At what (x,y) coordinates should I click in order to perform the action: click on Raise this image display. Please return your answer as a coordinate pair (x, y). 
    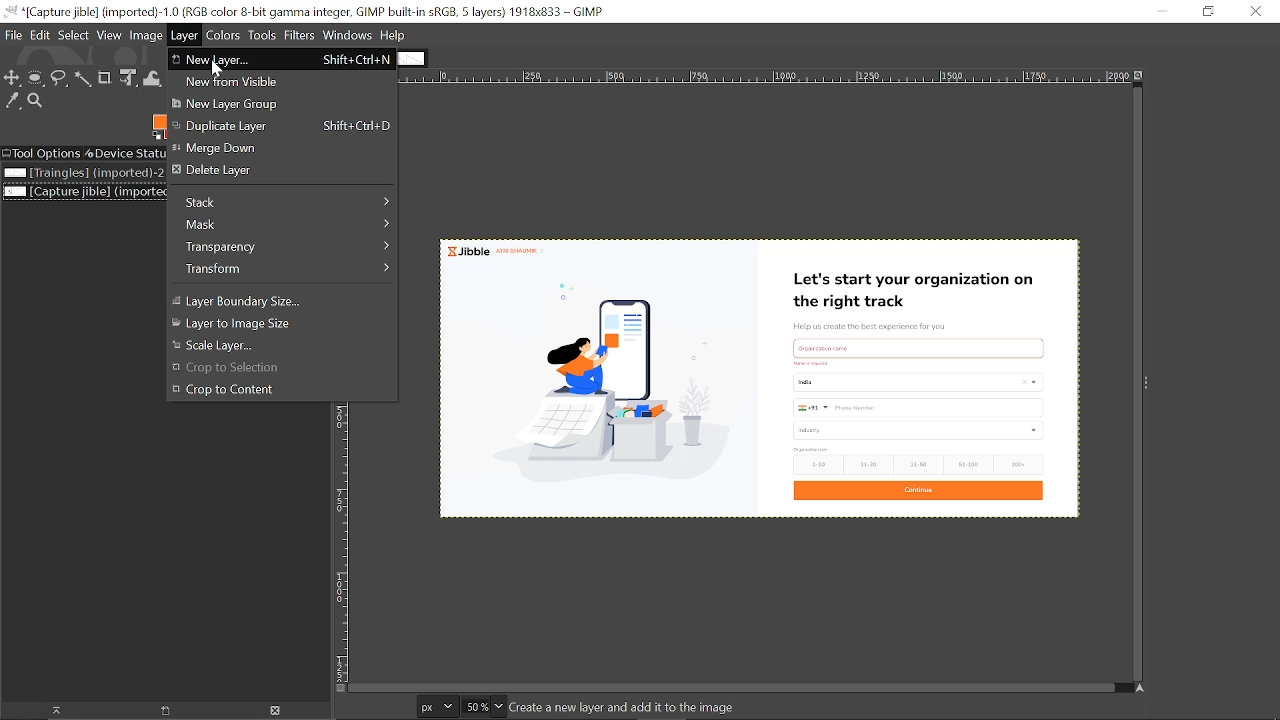
    Looking at the image, I should click on (48, 710).